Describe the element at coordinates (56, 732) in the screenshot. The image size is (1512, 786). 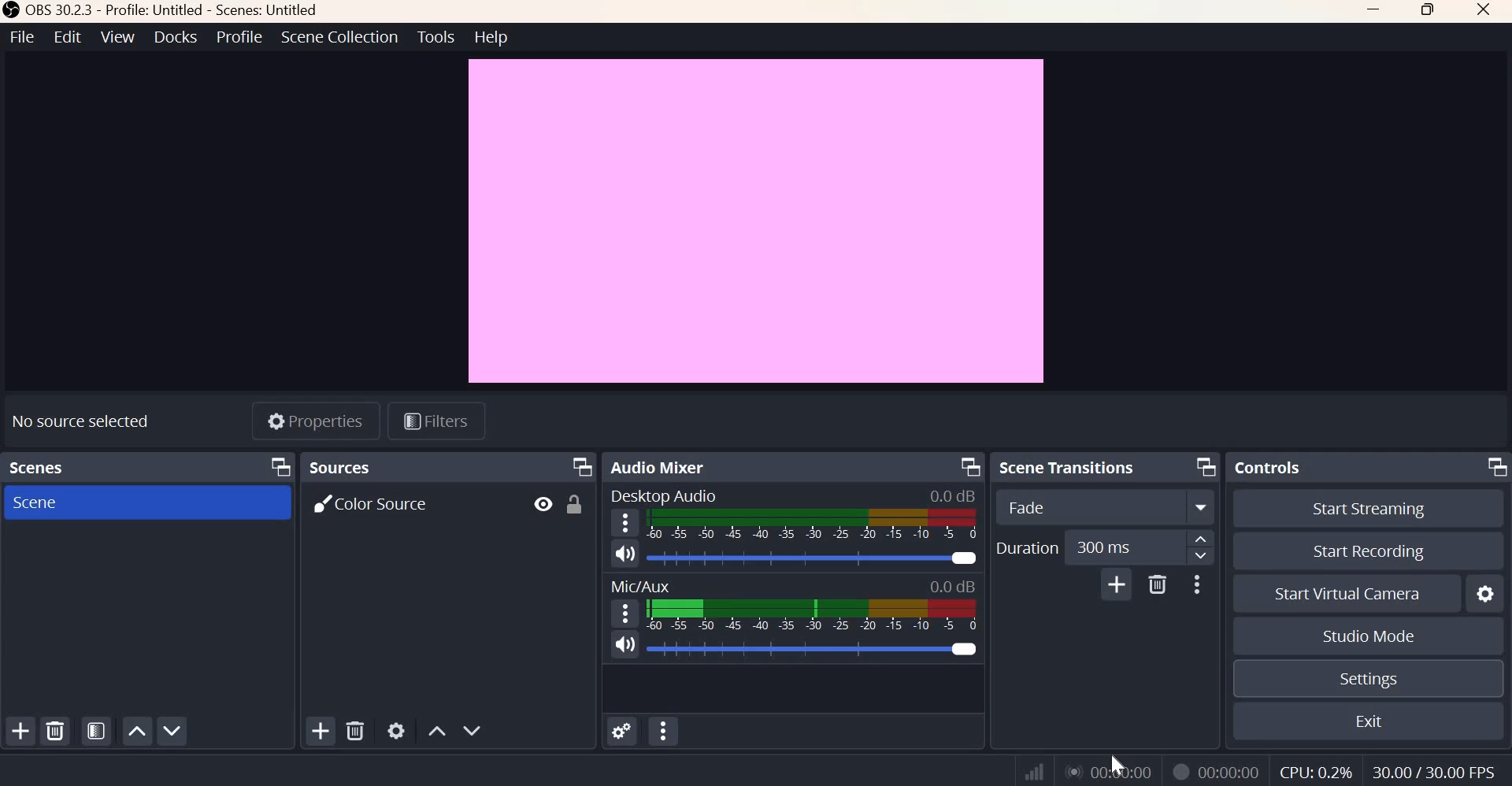
I see `remove selected scene ` at that location.